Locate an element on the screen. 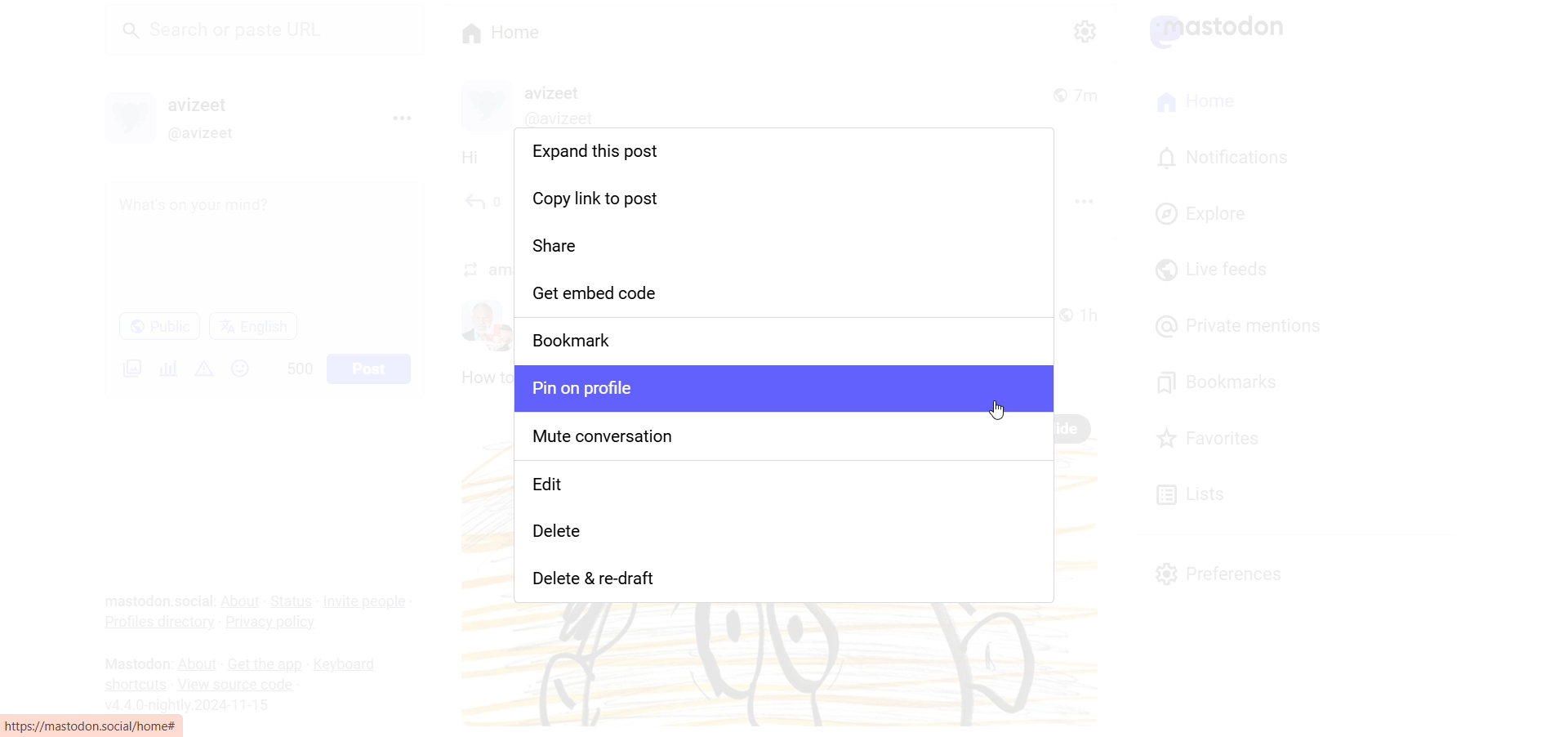  Emojis is located at coordinates (241, 368).